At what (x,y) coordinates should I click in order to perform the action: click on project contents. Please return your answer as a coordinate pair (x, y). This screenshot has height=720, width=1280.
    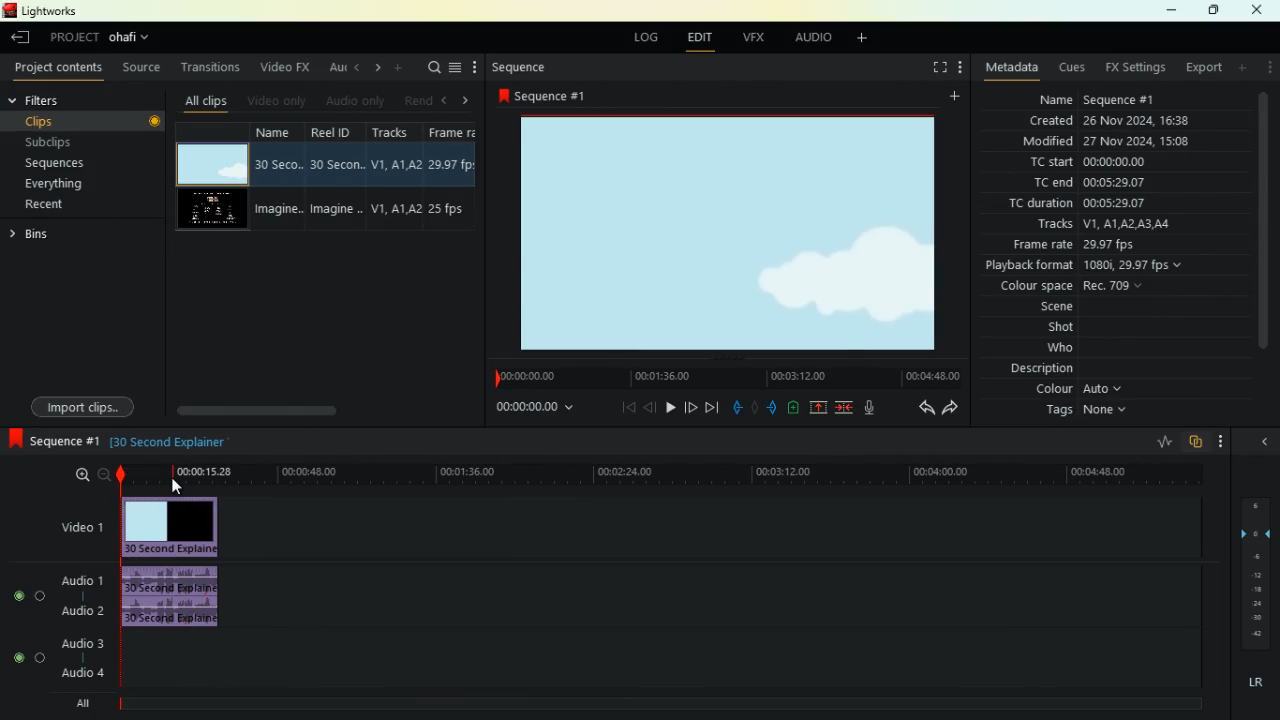
    Looking at the image, I should click on (61, 68).